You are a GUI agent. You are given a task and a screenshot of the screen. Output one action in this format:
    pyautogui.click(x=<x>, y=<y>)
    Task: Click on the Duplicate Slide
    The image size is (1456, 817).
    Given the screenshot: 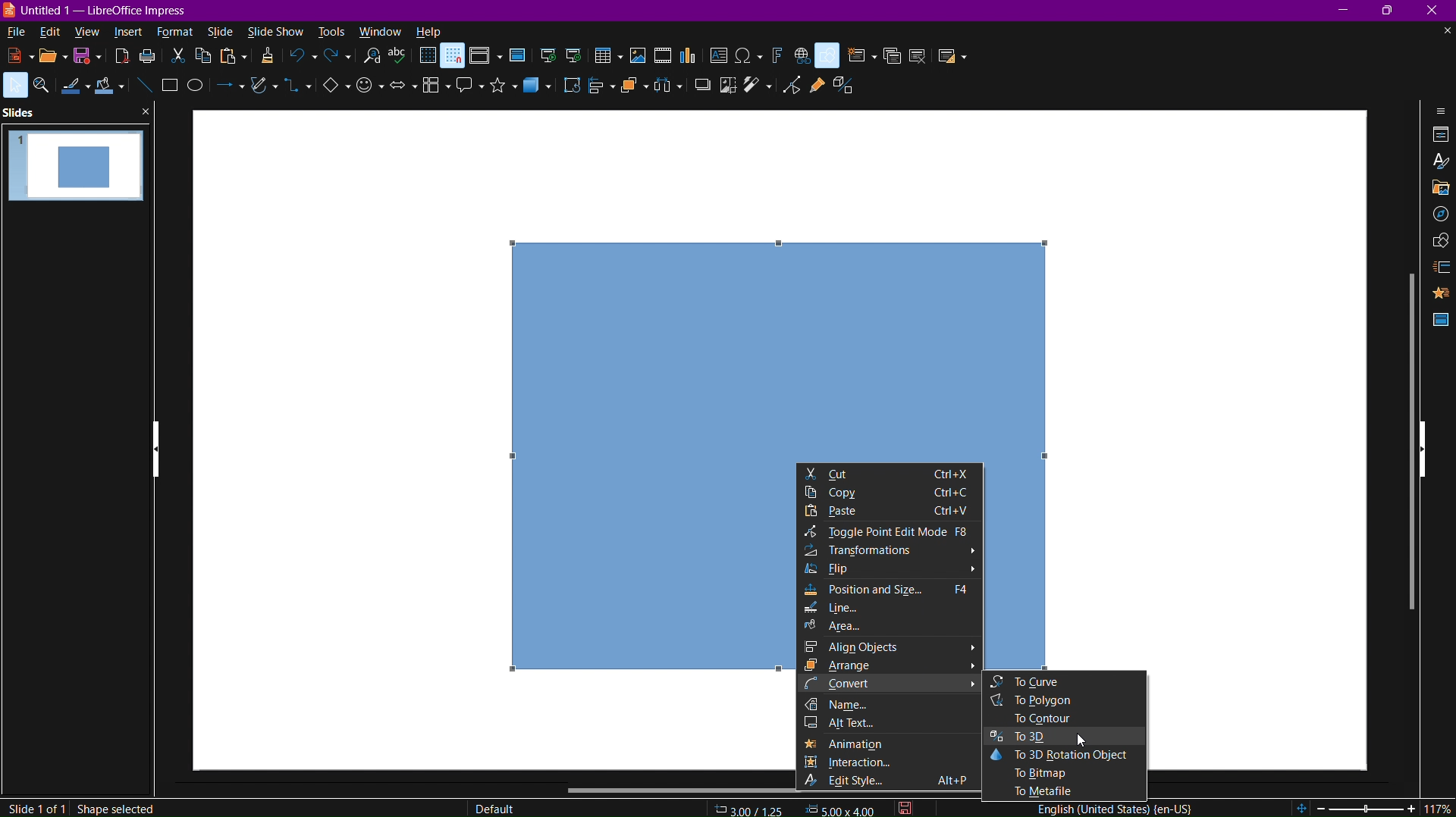 What is the action you would take?
    pyautogui.click(x=891, y=56)
    